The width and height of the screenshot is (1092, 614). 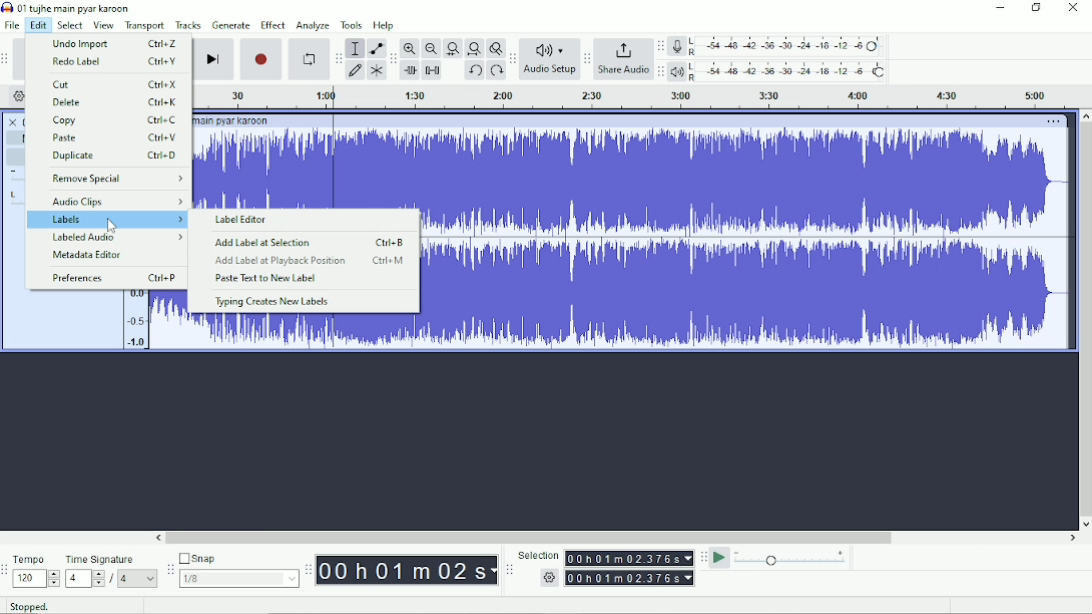 What do you see at coordinates (386, 26) in the screenshot?
I see `Help` at bounding box center [386, 26].